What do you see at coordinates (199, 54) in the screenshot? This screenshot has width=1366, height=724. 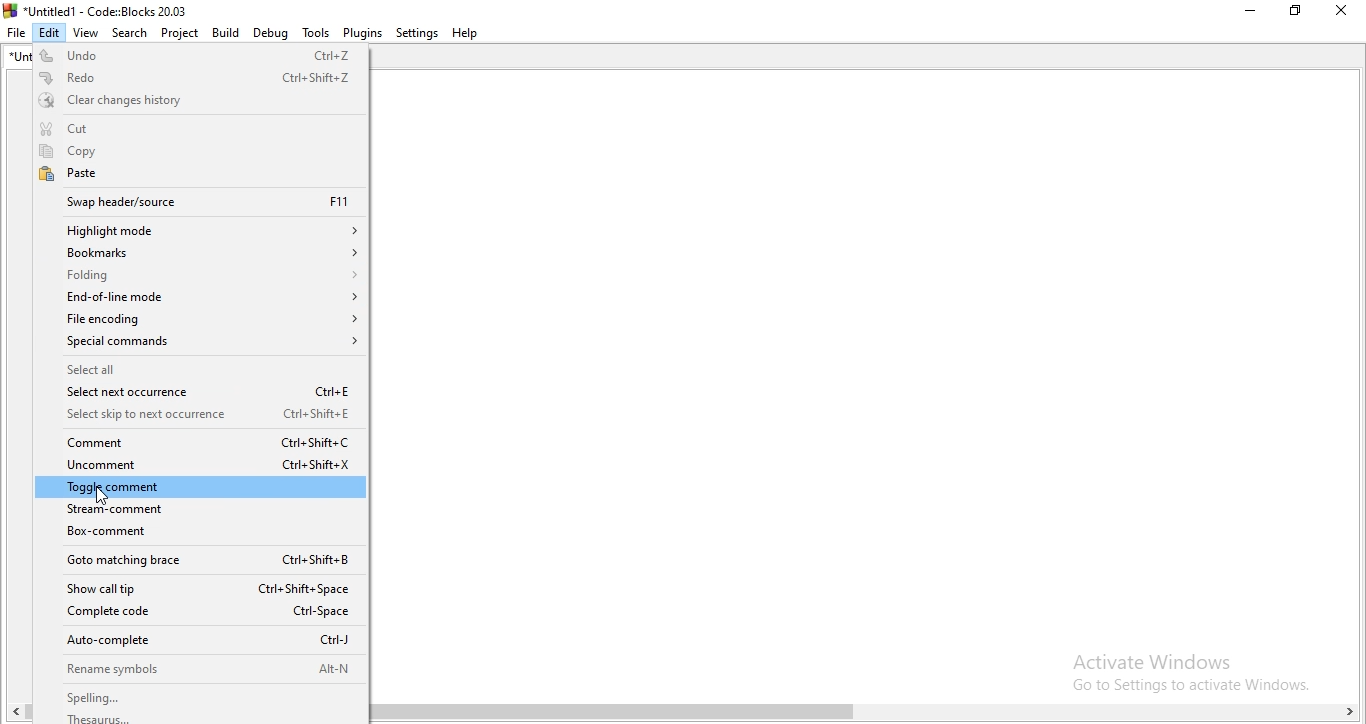 I see `Undo` at bounding box center [199, 54].